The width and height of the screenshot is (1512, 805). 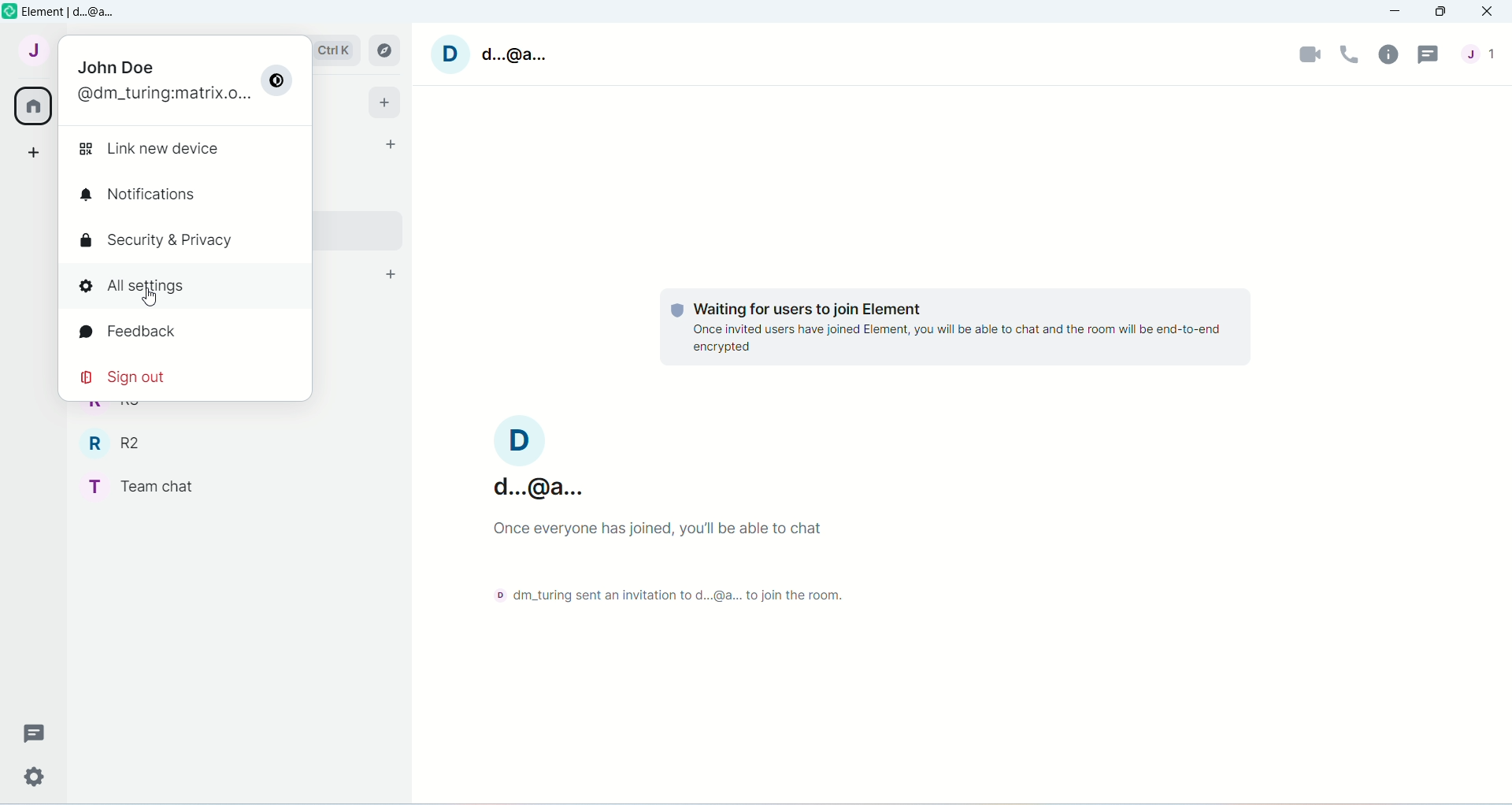 I want to click on Switch to dark mode, so click(x=278, y=82).